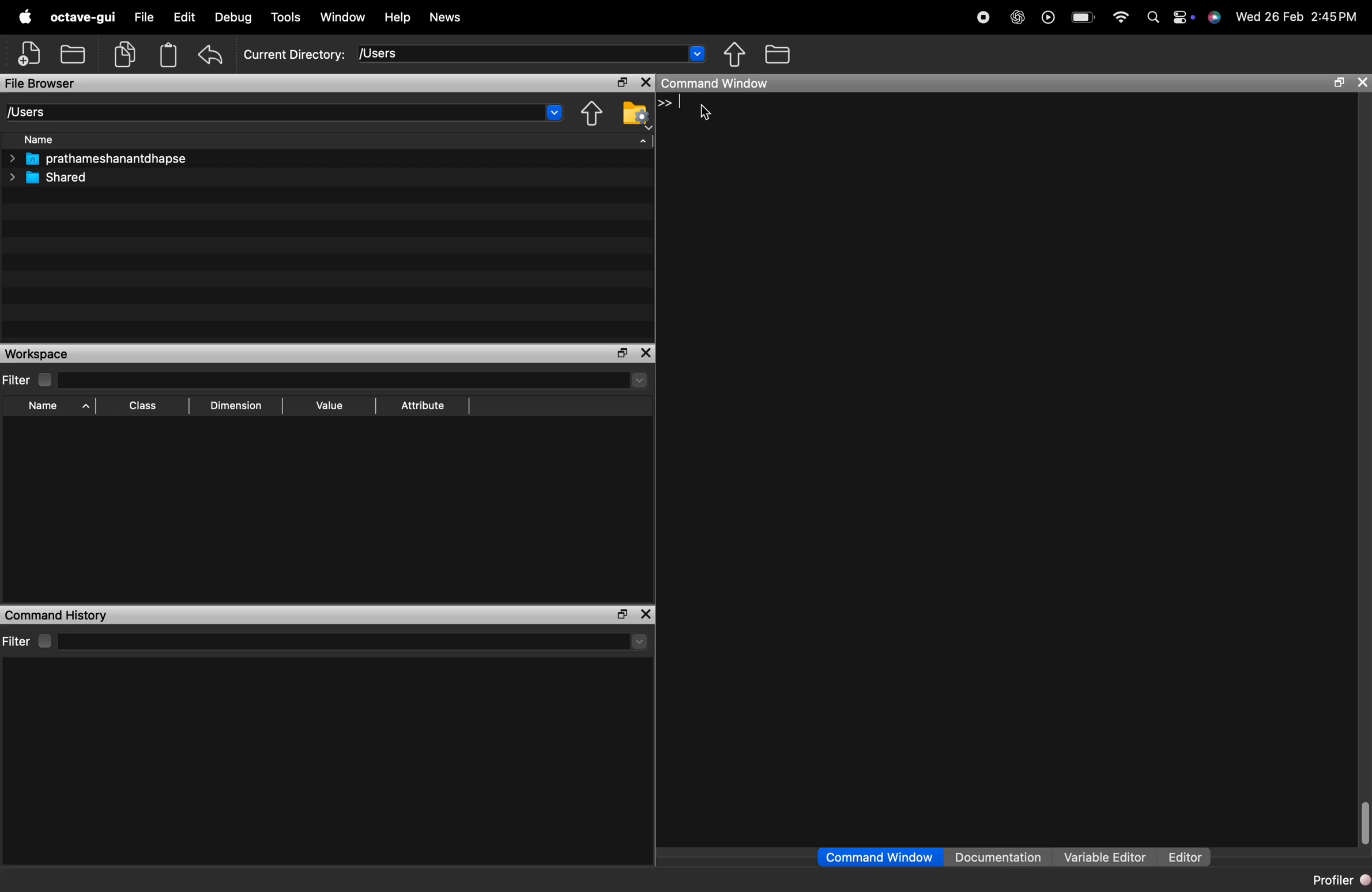 This screenshot has height=892, width=1372. What do you see at coordinates (63, 613) in the screenshot?
I see `I
Command History` at bounding box center [63, 613].